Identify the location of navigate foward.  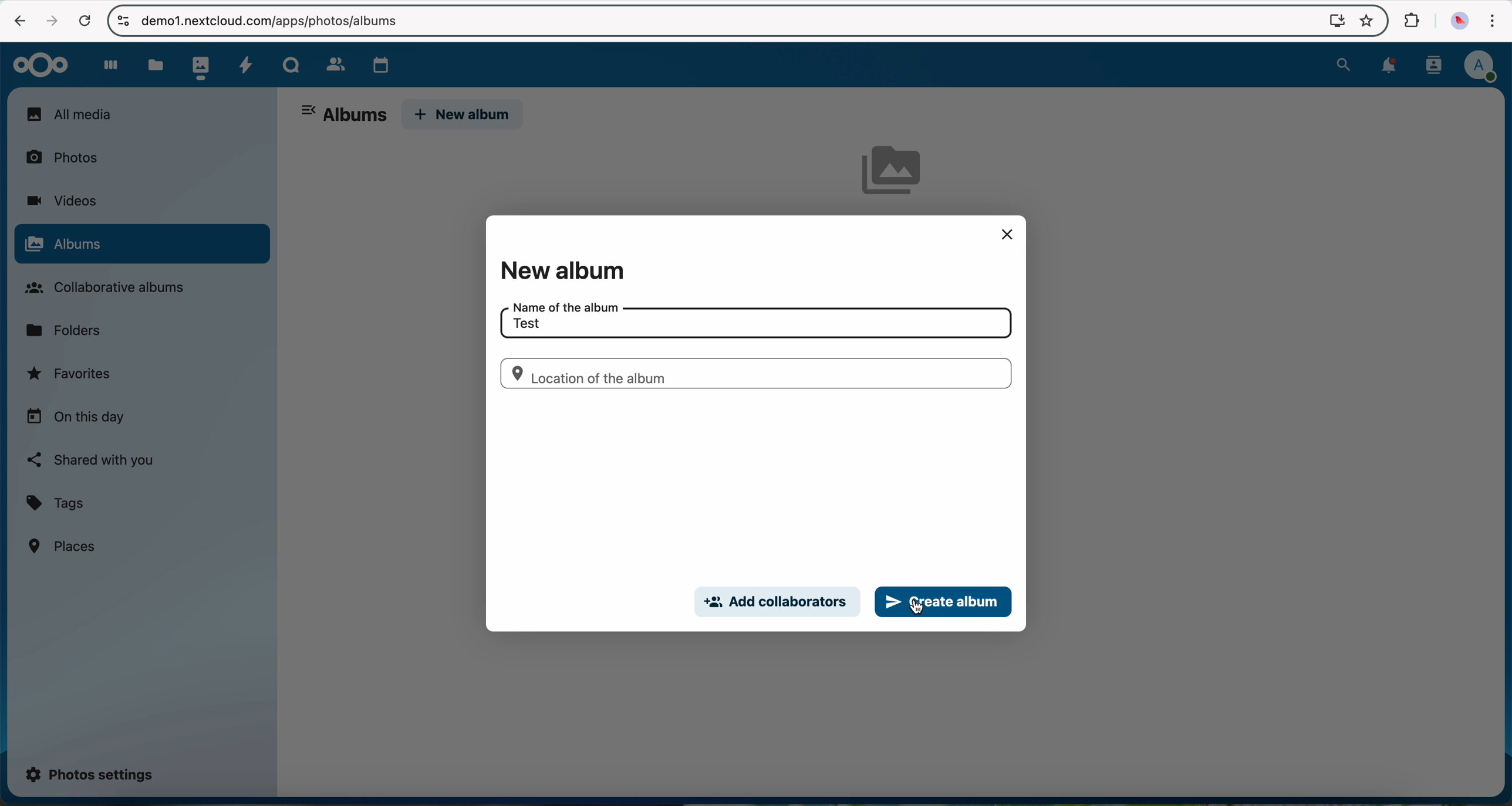
(49, 21).